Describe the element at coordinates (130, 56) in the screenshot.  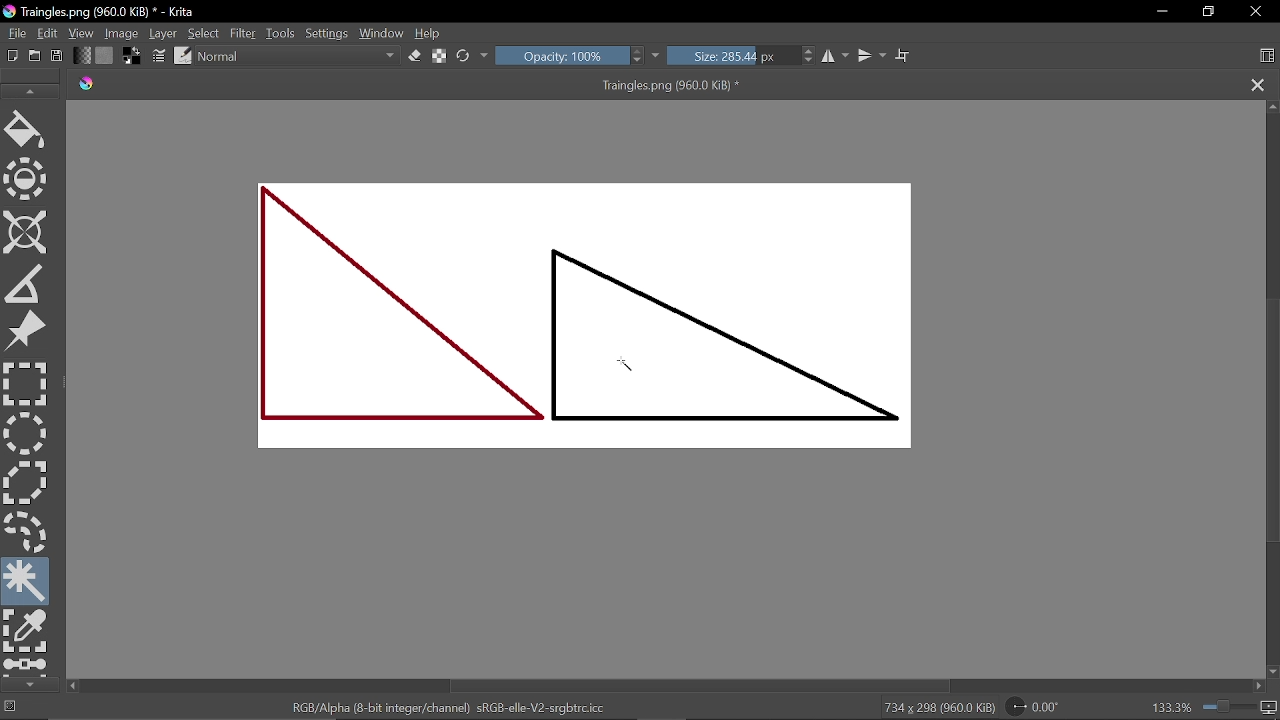
I see `Foreground color` at that location.